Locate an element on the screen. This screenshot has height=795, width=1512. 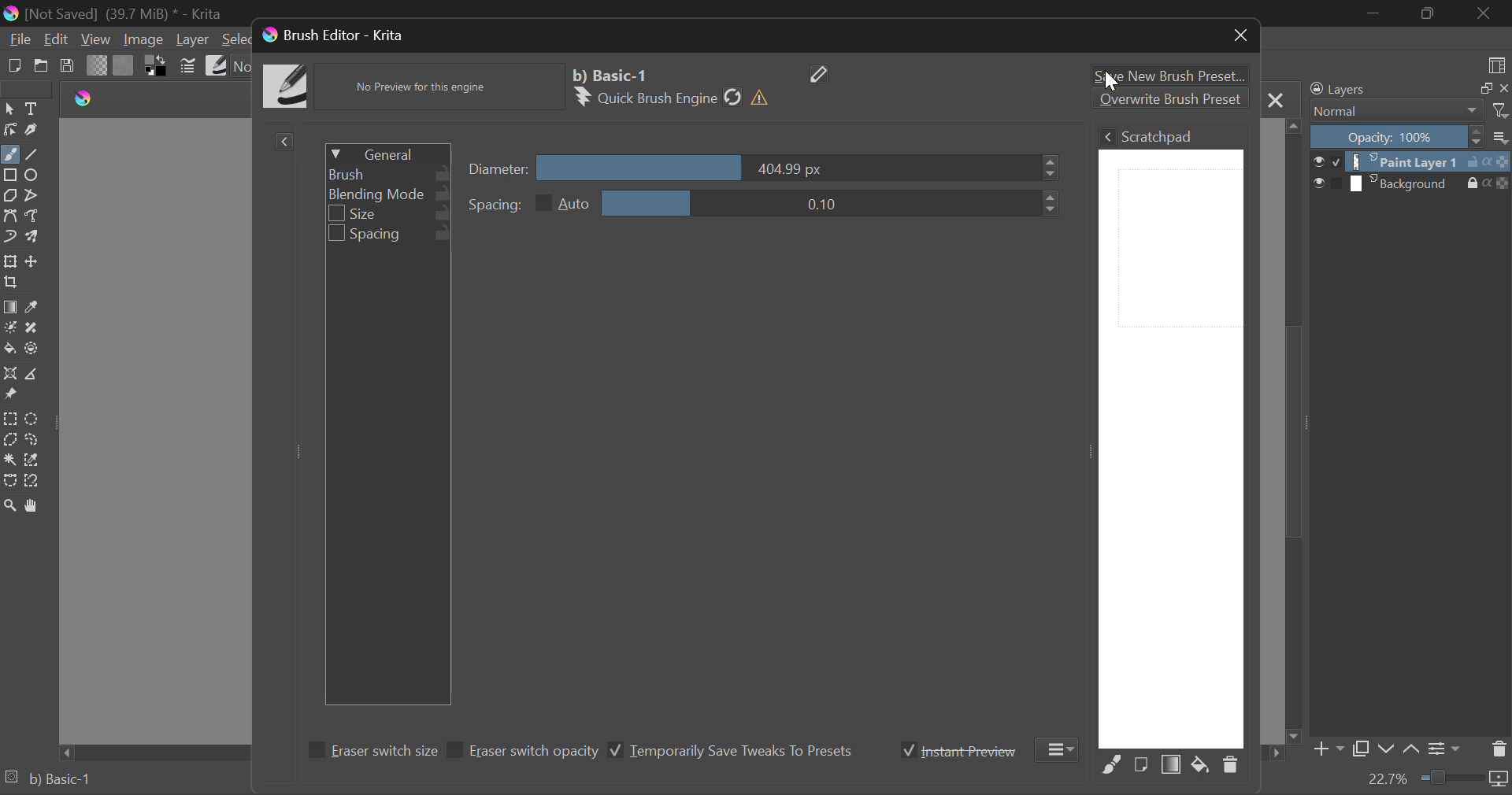
Polyline is located at coordinates (35, 195).